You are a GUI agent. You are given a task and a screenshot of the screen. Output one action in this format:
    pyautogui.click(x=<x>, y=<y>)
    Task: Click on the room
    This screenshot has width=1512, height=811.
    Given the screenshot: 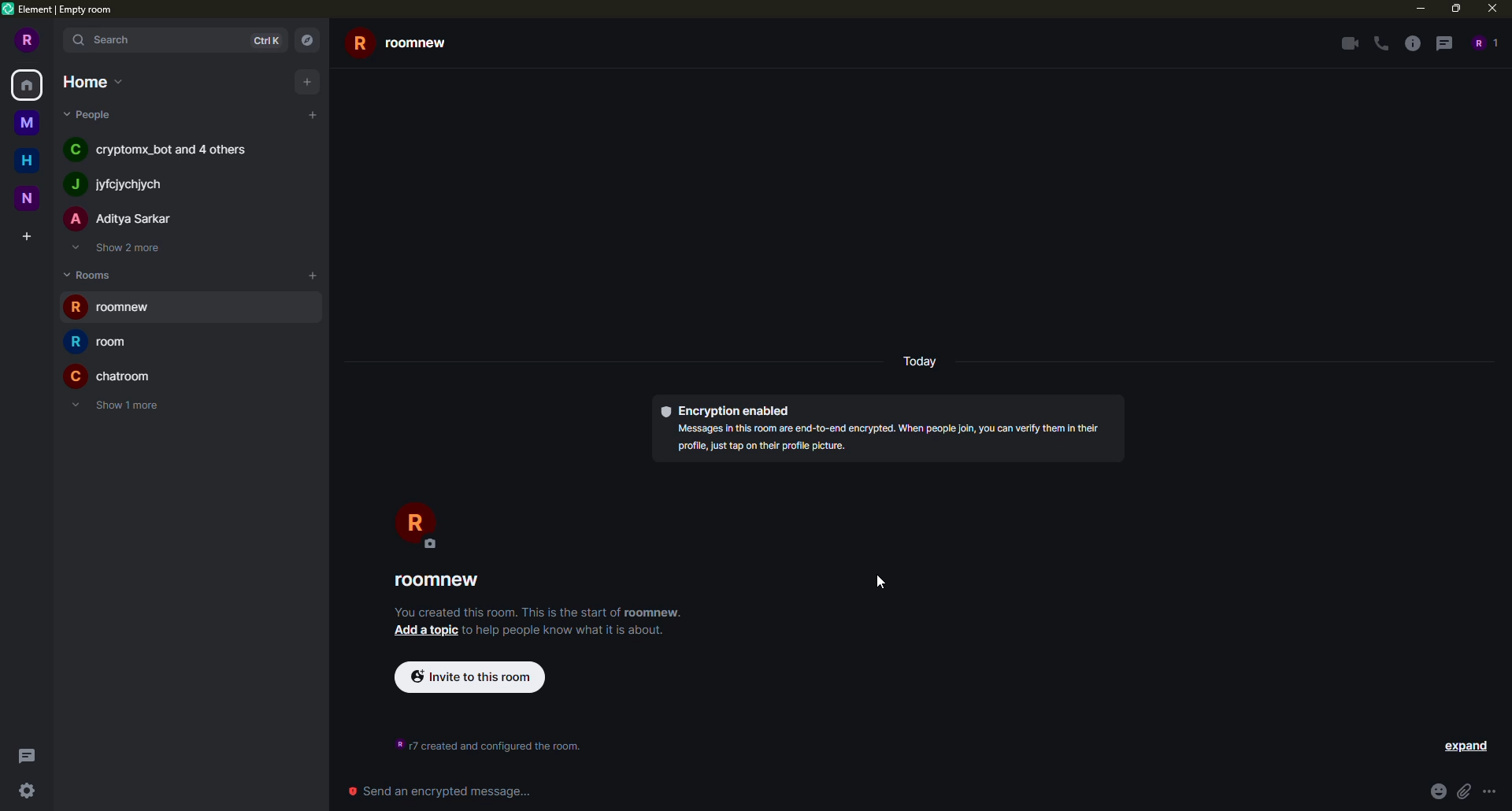 What is the action you would take?
    pyautogui.click(x=118, y=341)
    